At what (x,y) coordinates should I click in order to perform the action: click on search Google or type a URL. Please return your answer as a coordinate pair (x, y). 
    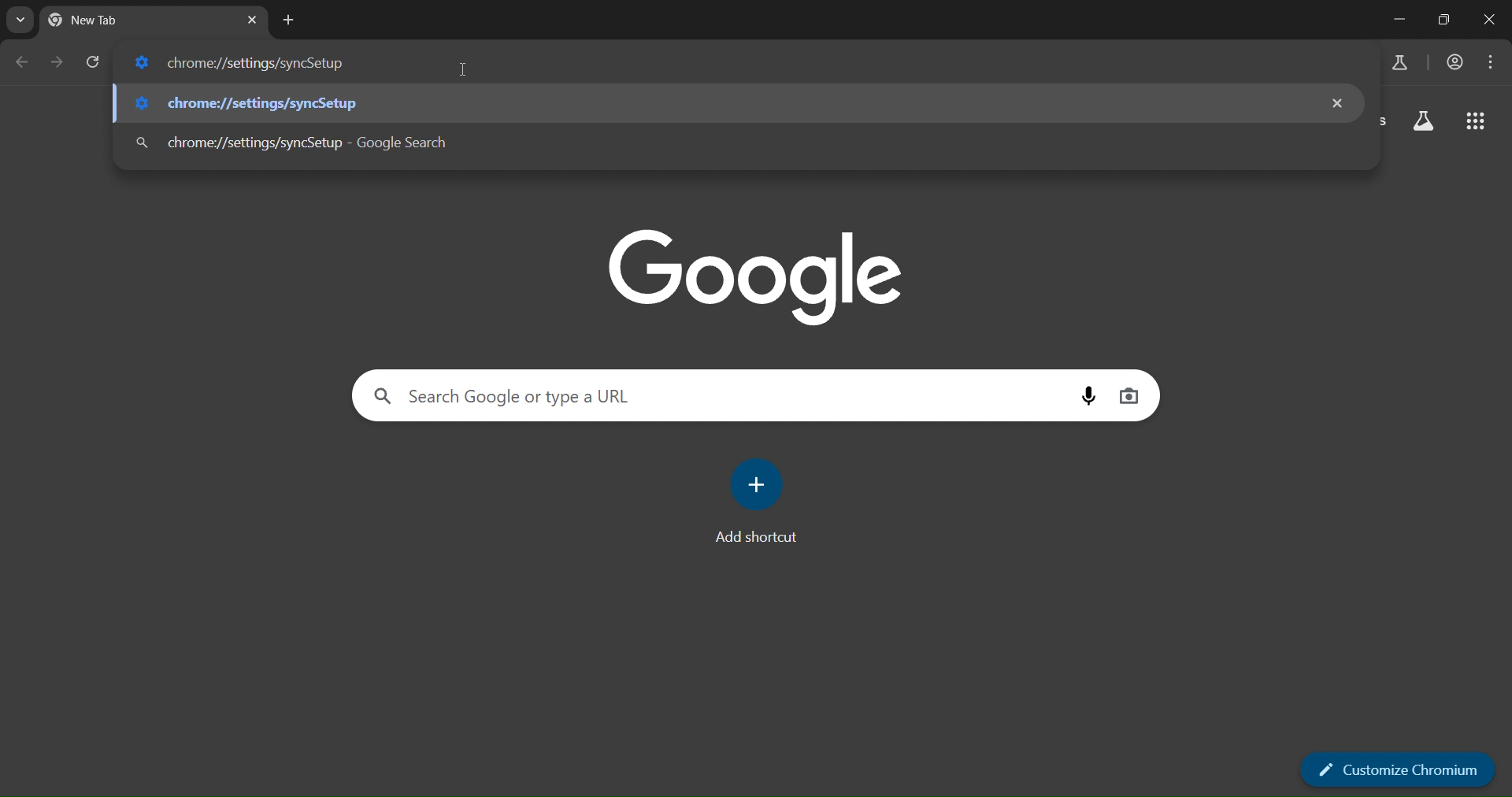
    Looking at the image, I should click on (721, 395).